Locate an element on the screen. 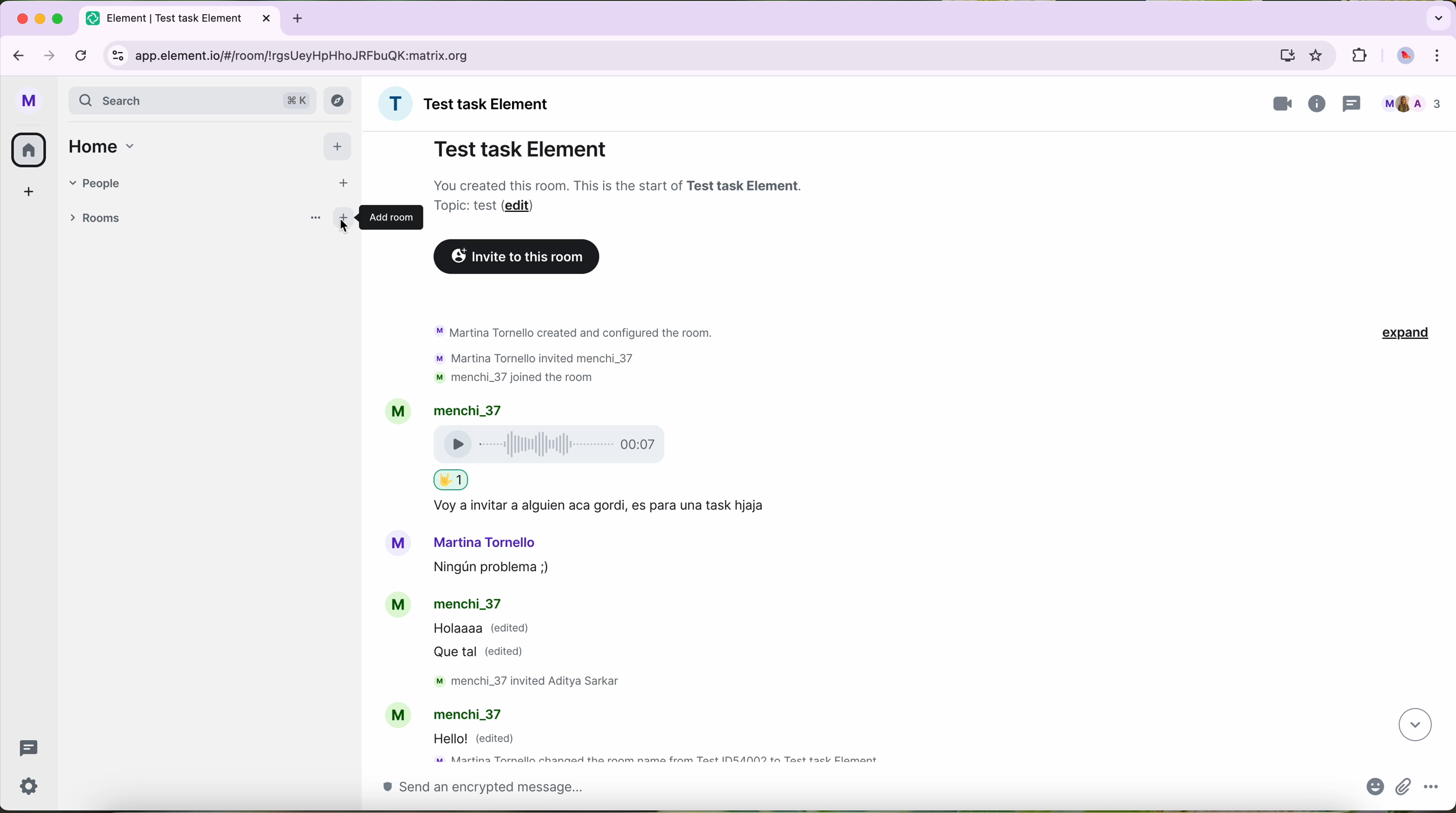 The image size is (1456, 813). refresh page is located at coordinates (82, 54).